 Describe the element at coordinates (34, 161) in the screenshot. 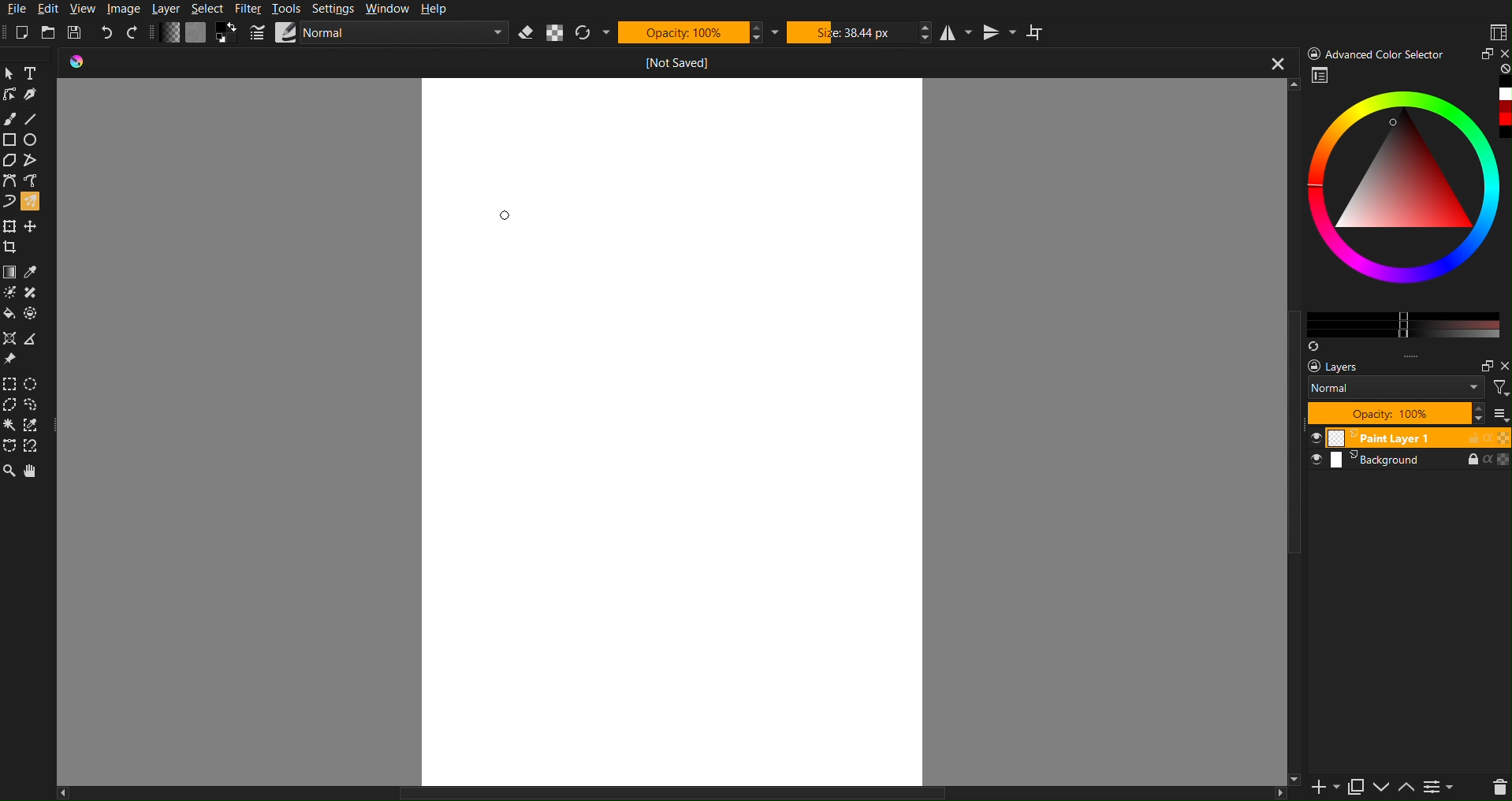

I see `Polyline Tool` at that location.